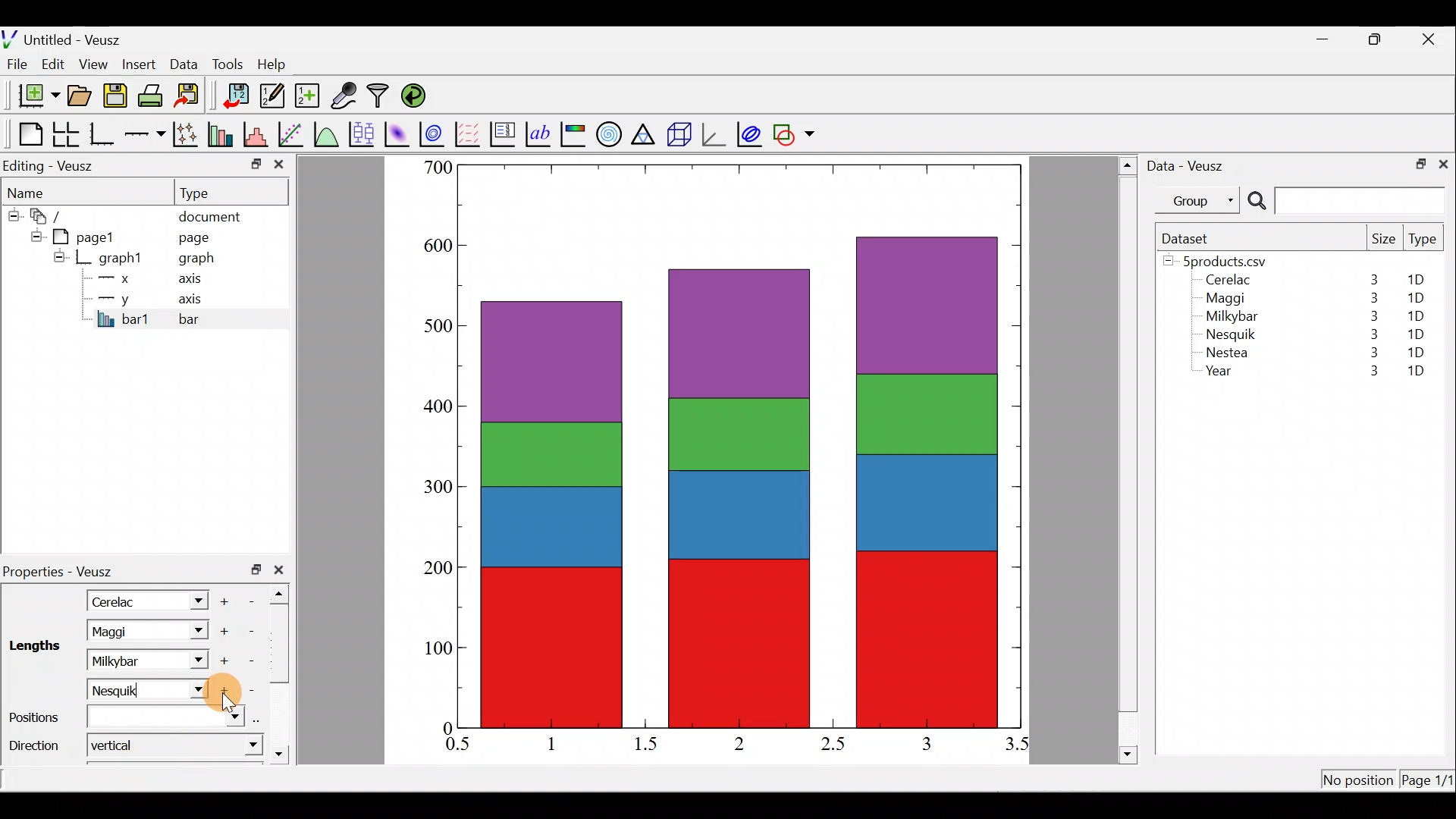  Describe the element at coordinates (1189, 164) in the screenshot. I see `Data - Veusz` at that location.